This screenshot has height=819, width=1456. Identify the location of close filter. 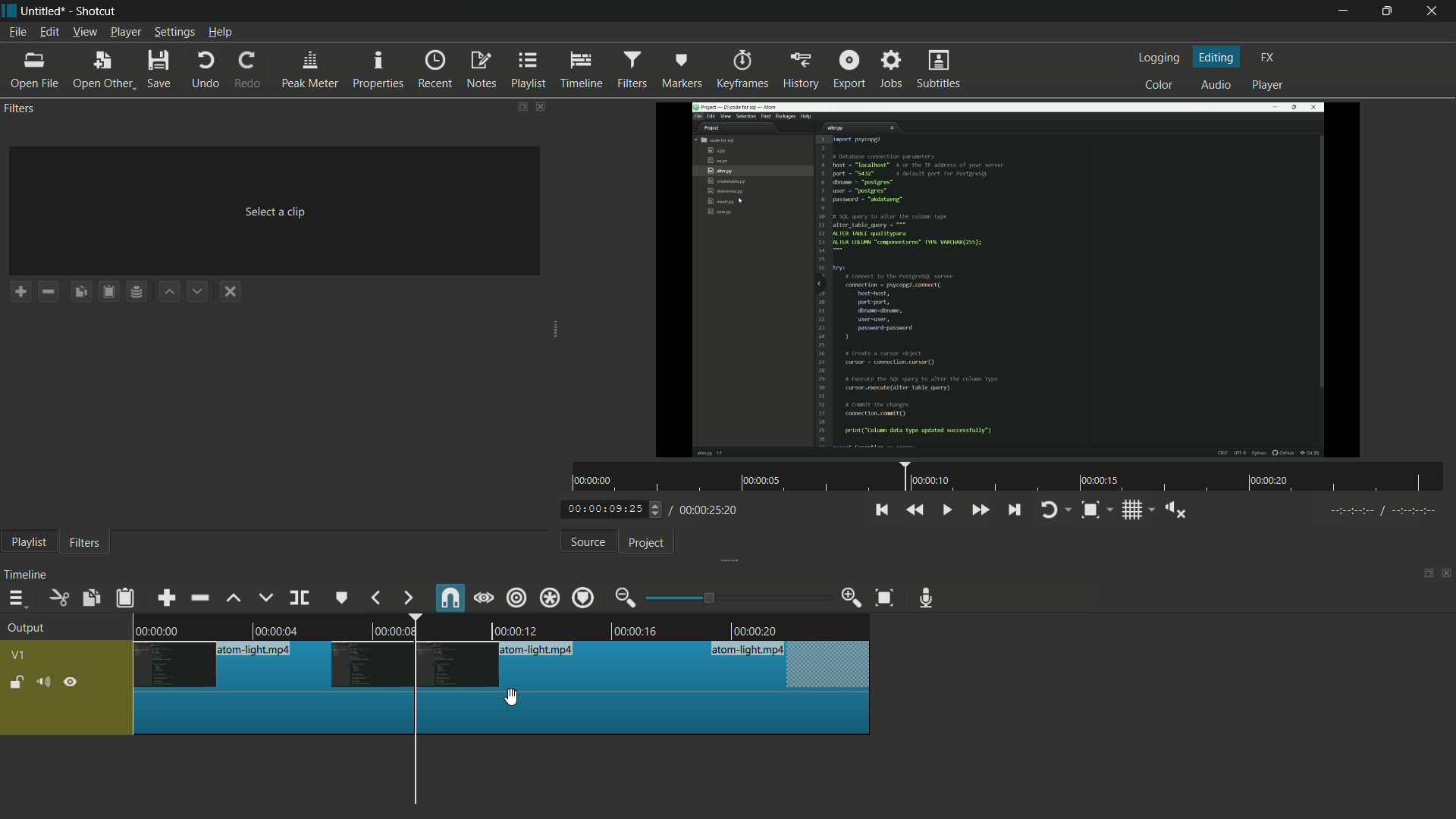
(539, 105).